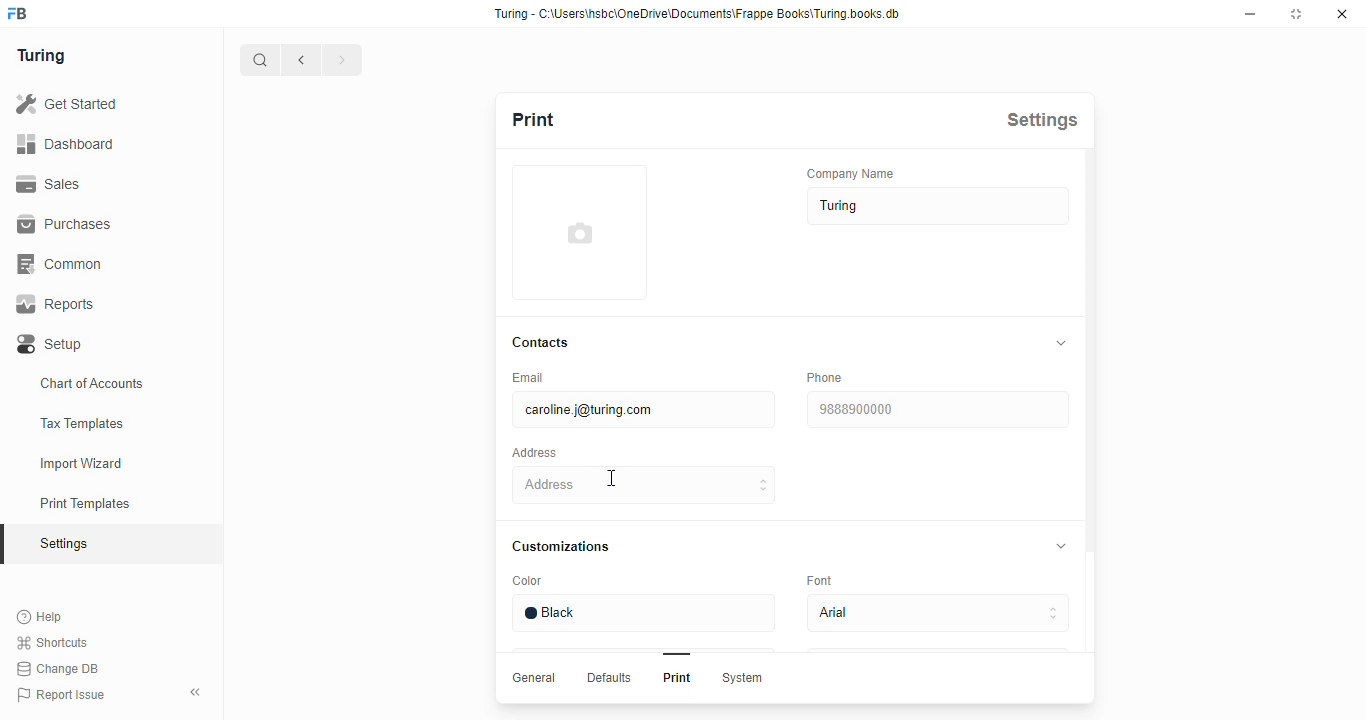 The width and height of the screenshot is (1366, 720). What do you see at coordinates (534, 119) in the screenshot?
I see `print` at bounding box center [534, 119].